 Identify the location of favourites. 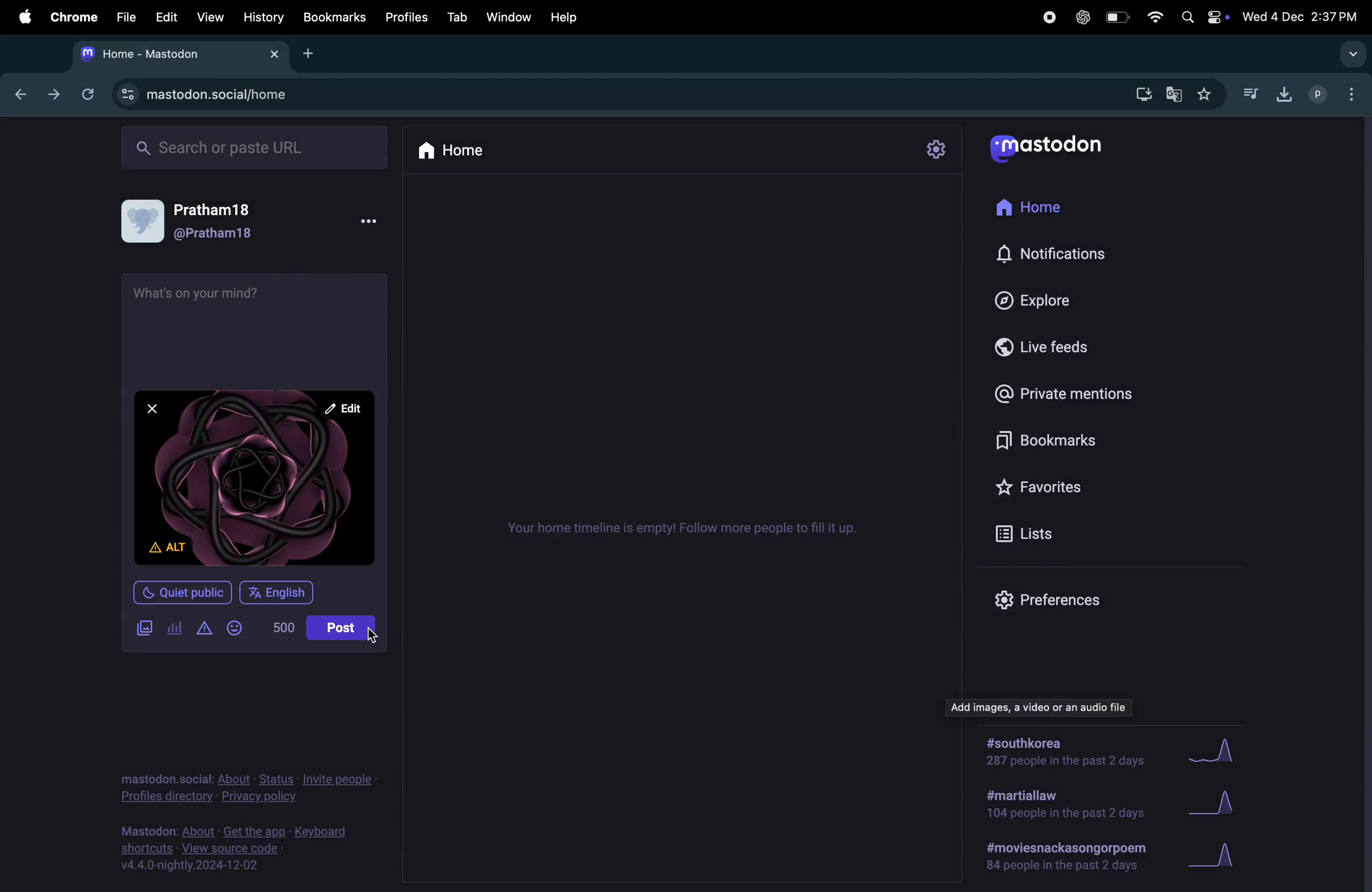
(1203, 96).